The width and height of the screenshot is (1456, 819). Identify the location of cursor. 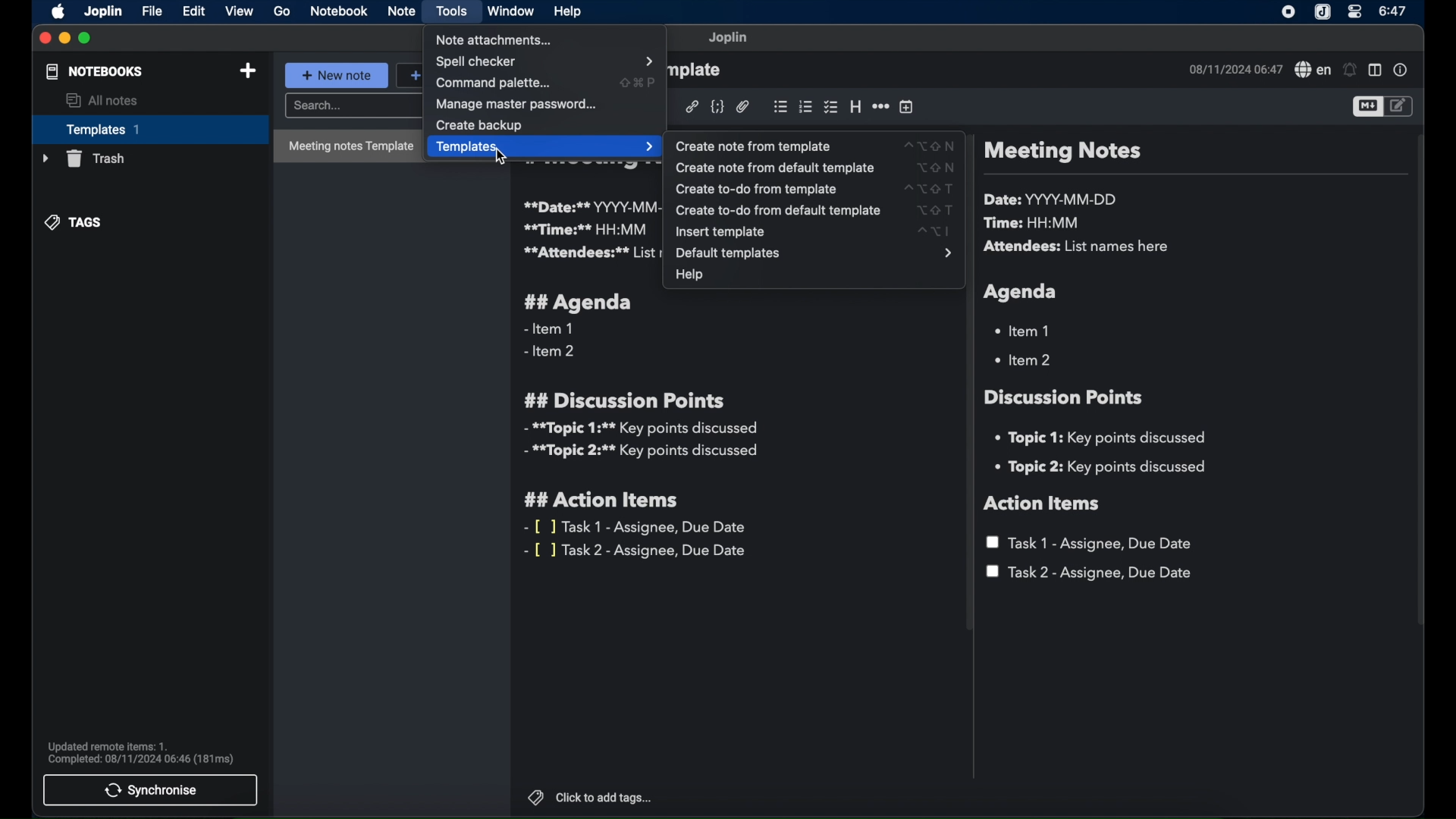
(505, 155).